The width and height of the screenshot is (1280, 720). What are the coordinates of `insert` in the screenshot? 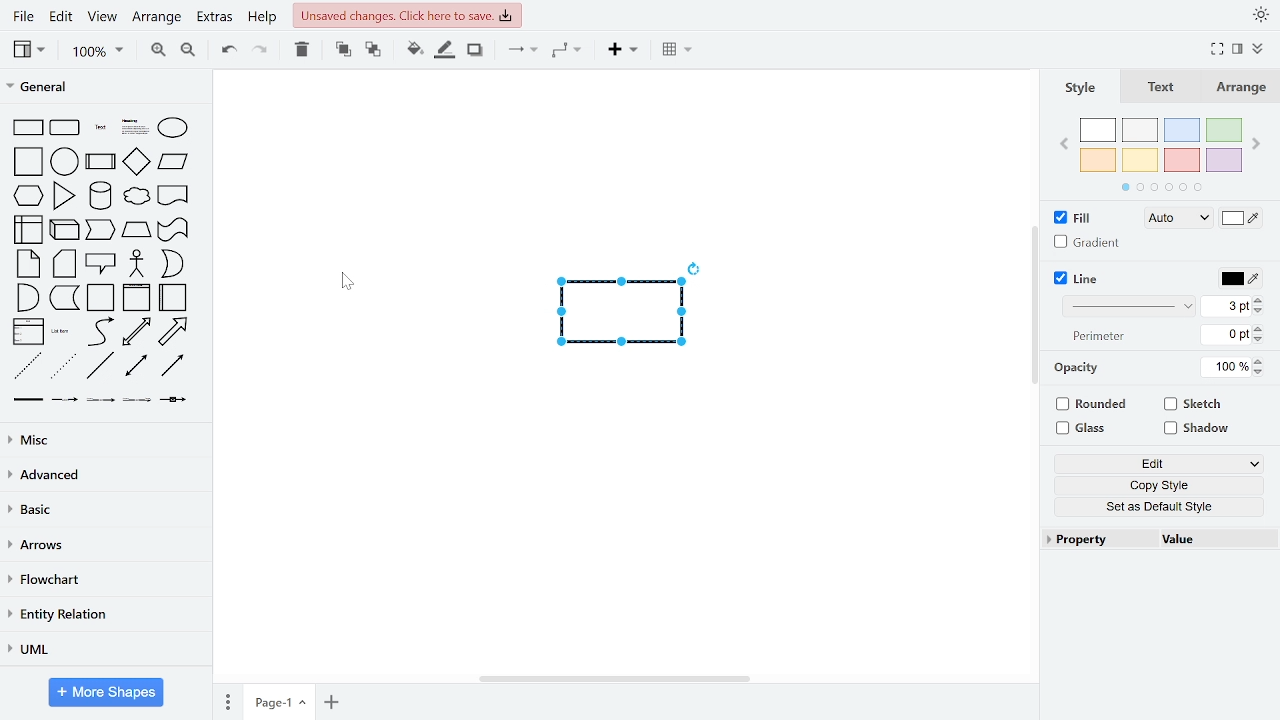 It's located at (622, 51).